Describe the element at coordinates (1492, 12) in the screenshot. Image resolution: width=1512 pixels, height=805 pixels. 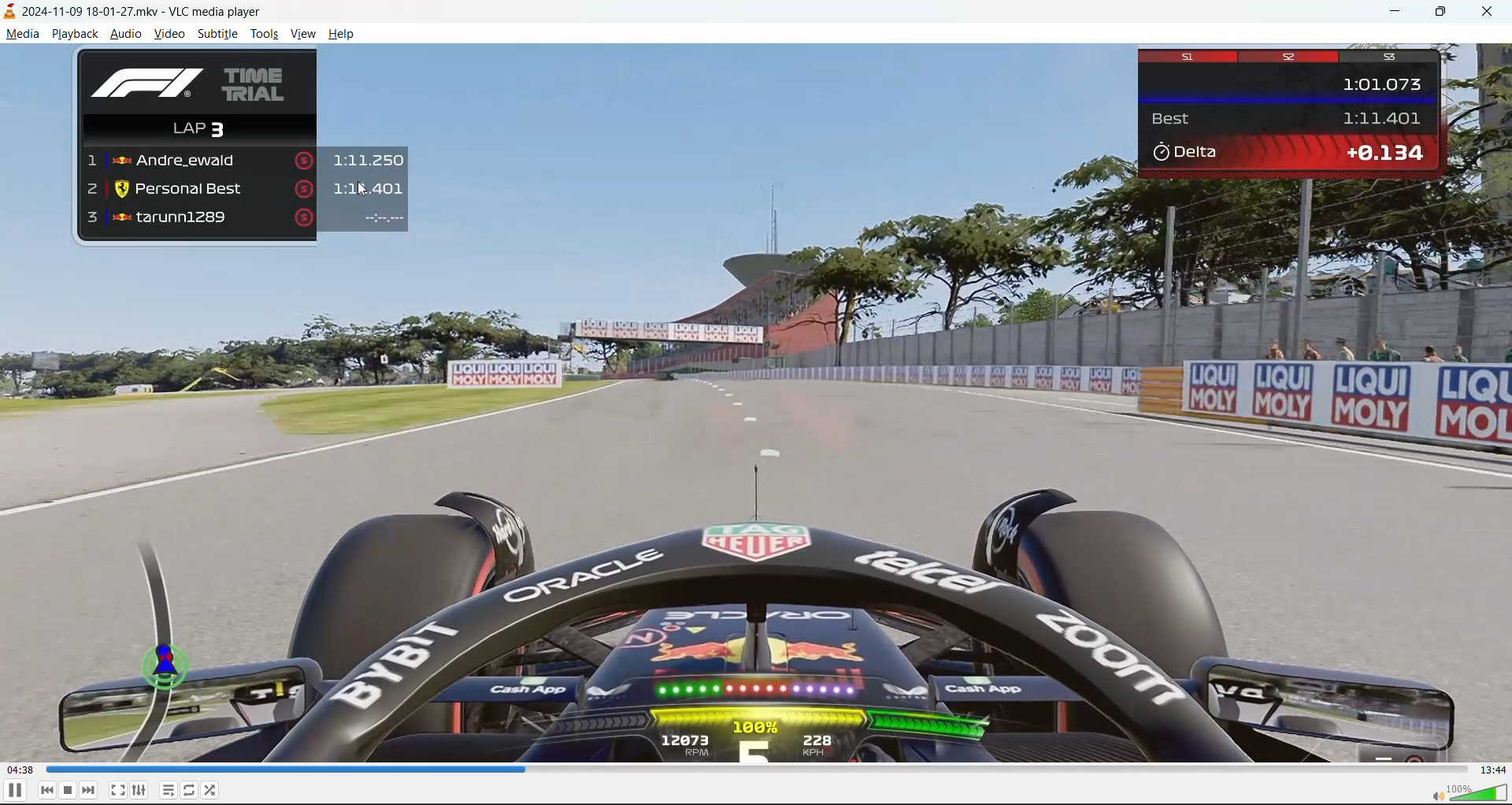
I see `close` at that location.